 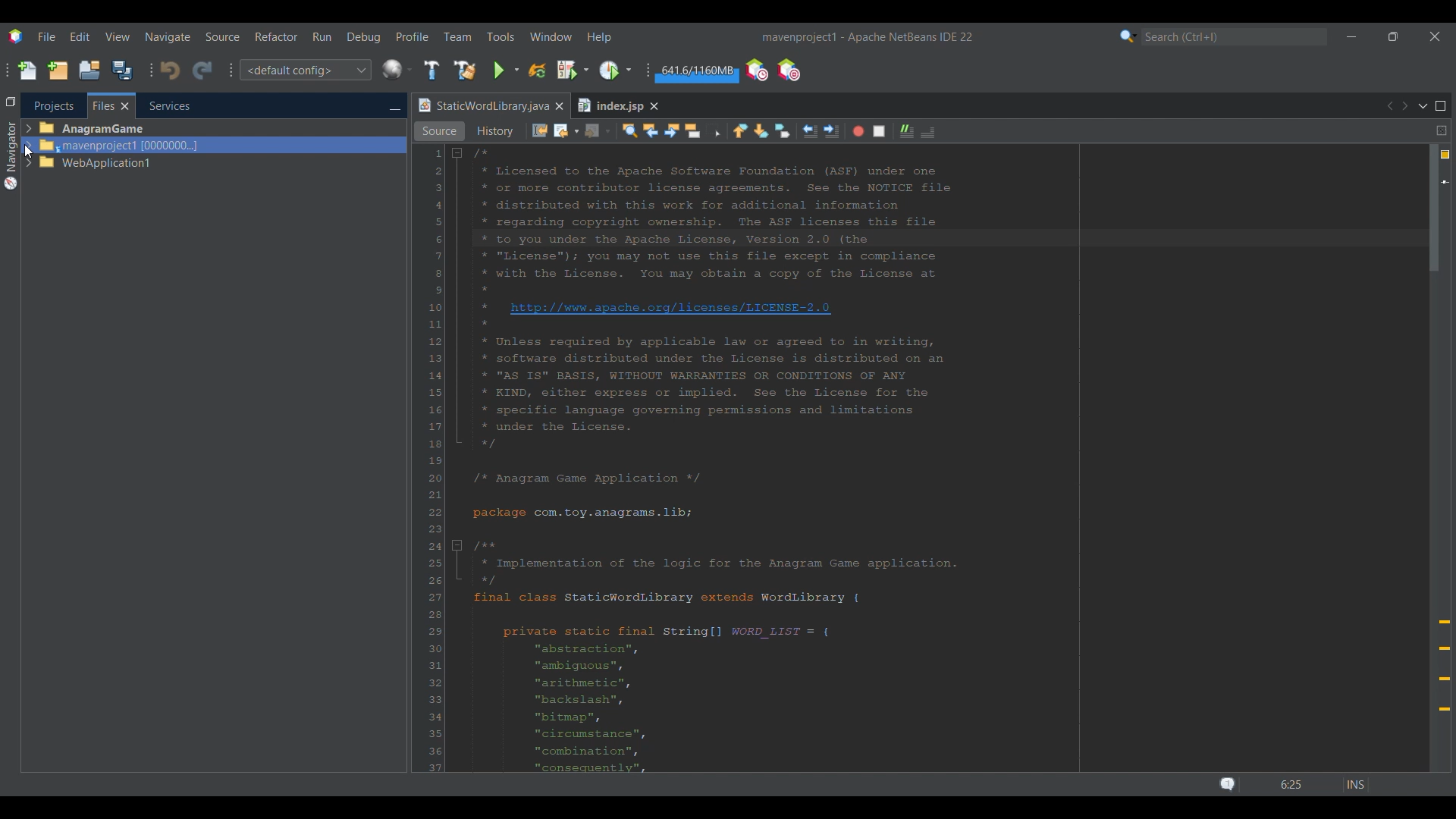 What do you see at coordinates (651, 130) in the screenshot?
I see `Find previous occurrence` at bounding box center [651, 130].